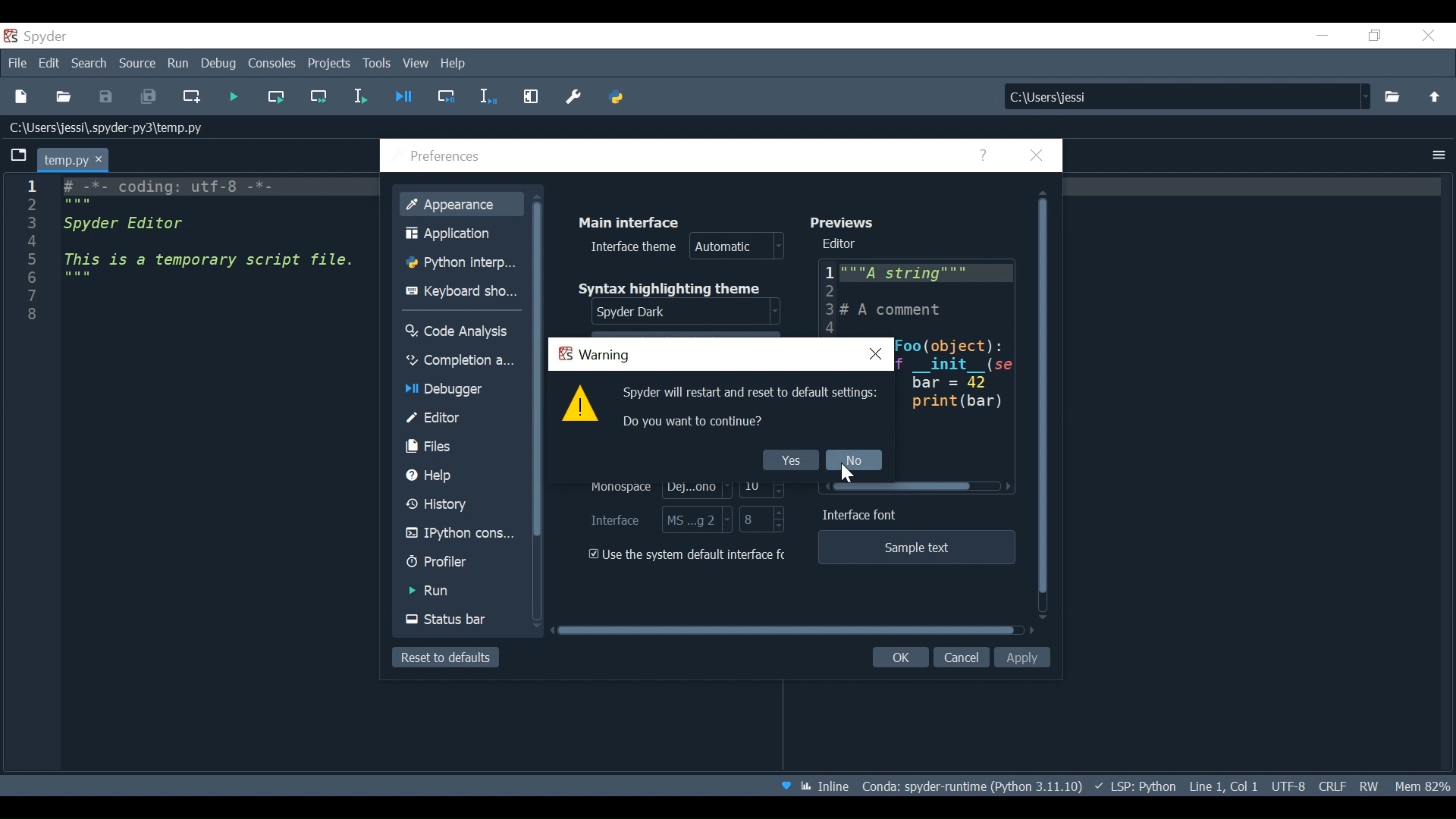 This screenshot has width=1456, height=819. What do you see at coordinates (1034, 155) in the screenshot?
I see `Close` at bounding box center [1034, 155].